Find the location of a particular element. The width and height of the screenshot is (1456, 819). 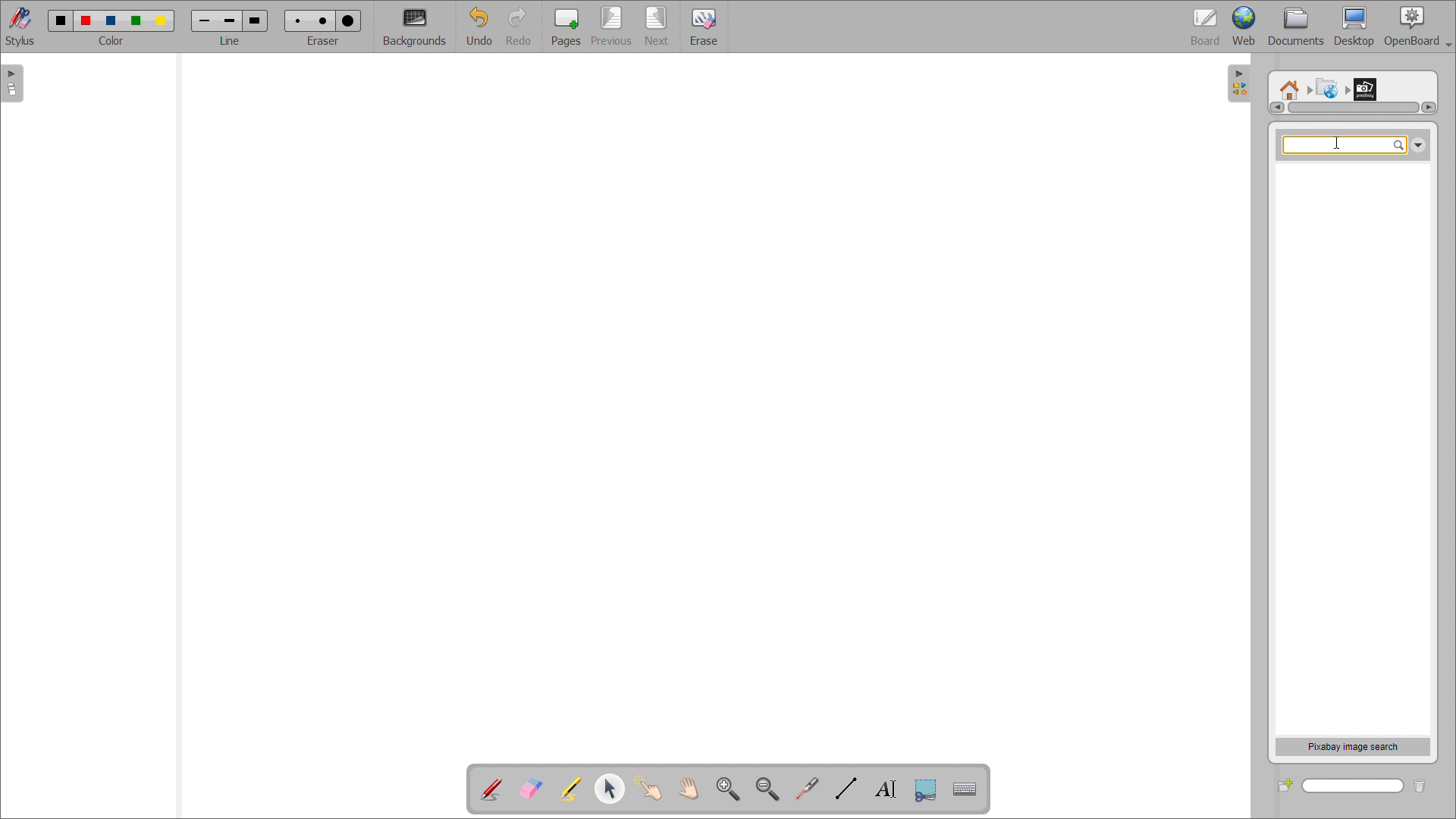

scroll left is located at coordinates (1276, 108).